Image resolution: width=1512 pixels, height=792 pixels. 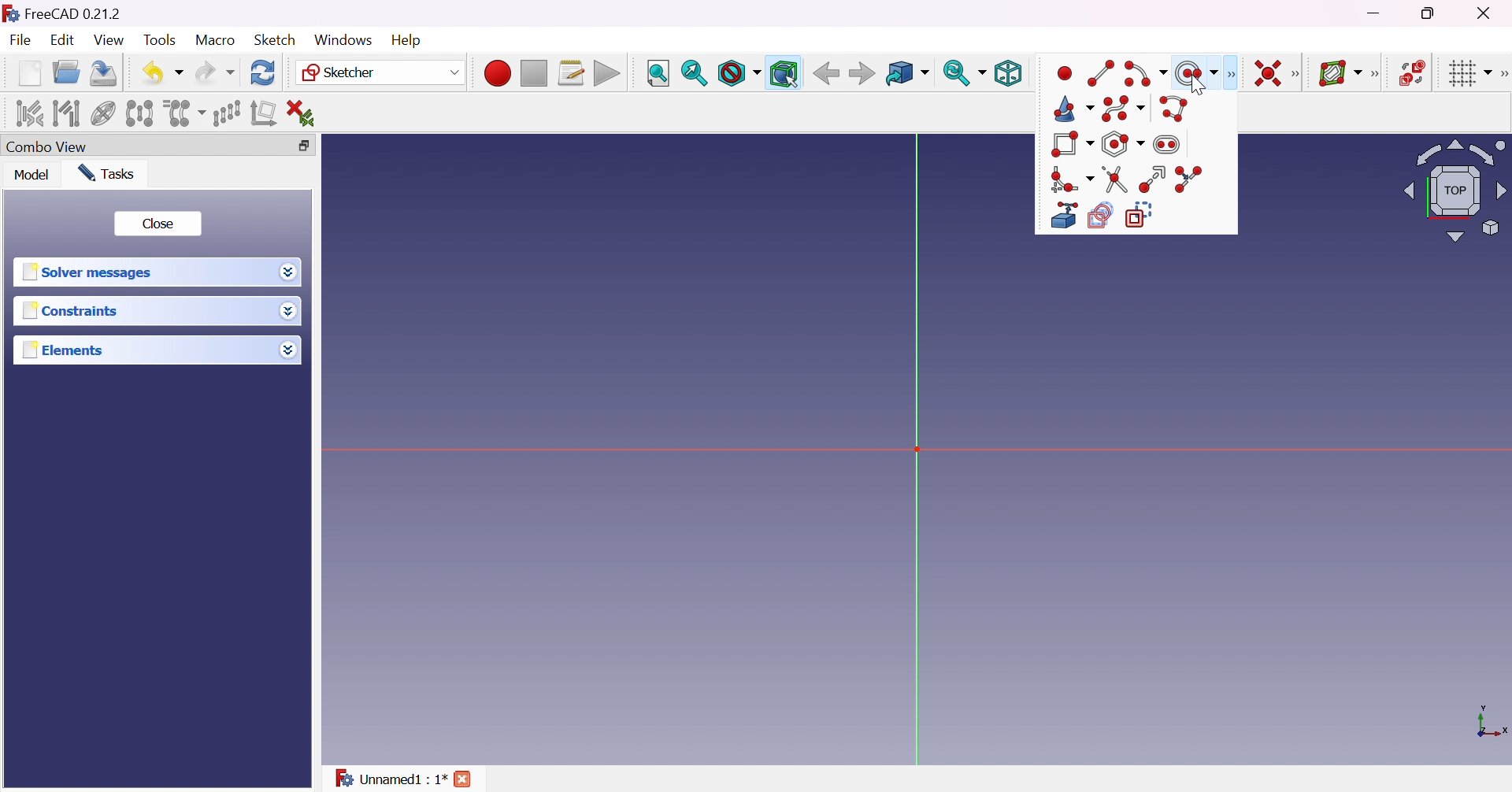 What do you see at coordinates (1503, 74) in the screenshot?
I see `Sketcher edit tools` at bounding box center [1503, 74].